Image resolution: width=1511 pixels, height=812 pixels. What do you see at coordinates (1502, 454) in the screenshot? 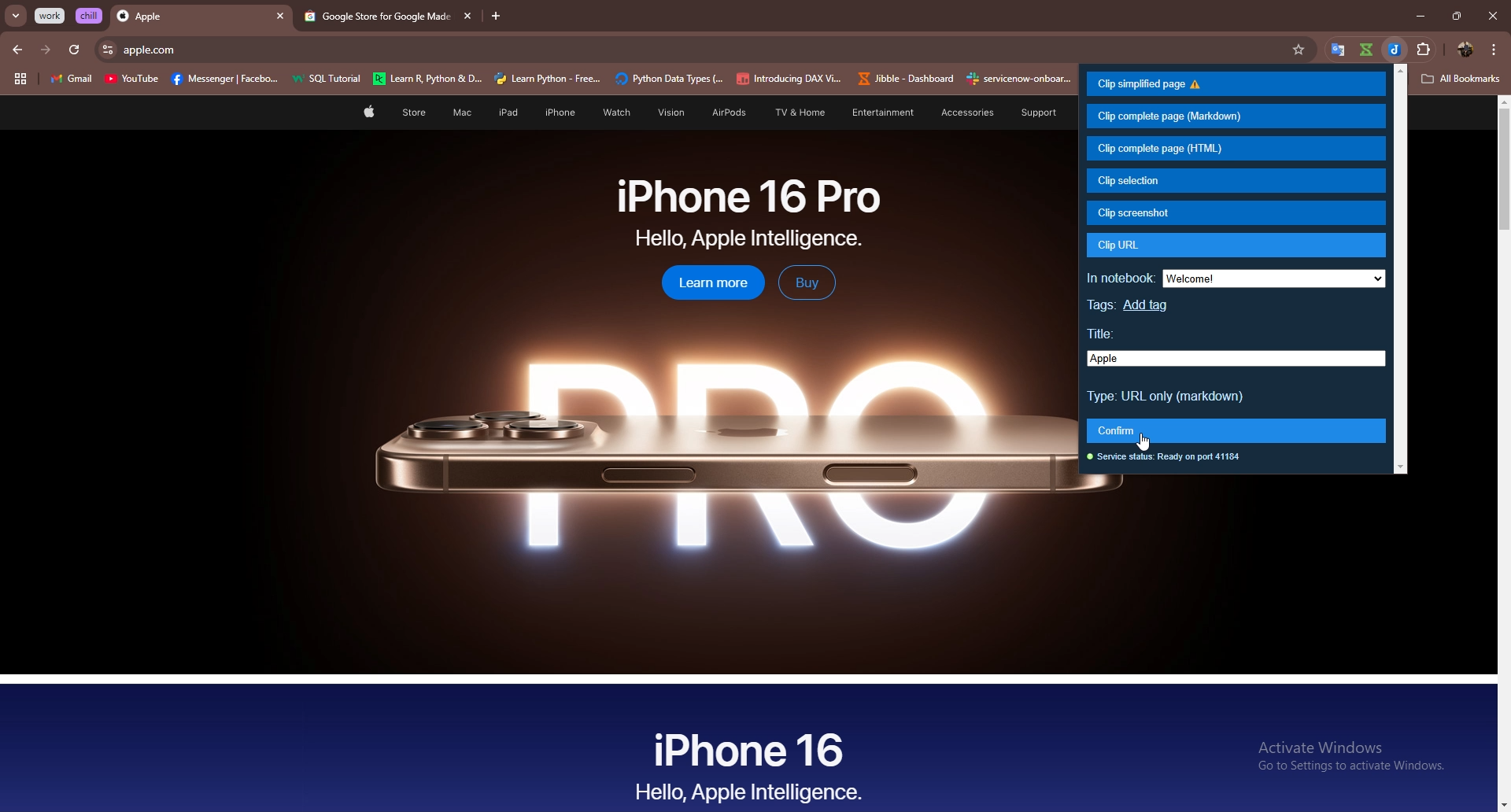
I see `scroll bar` at bounding box center [1502, 454].